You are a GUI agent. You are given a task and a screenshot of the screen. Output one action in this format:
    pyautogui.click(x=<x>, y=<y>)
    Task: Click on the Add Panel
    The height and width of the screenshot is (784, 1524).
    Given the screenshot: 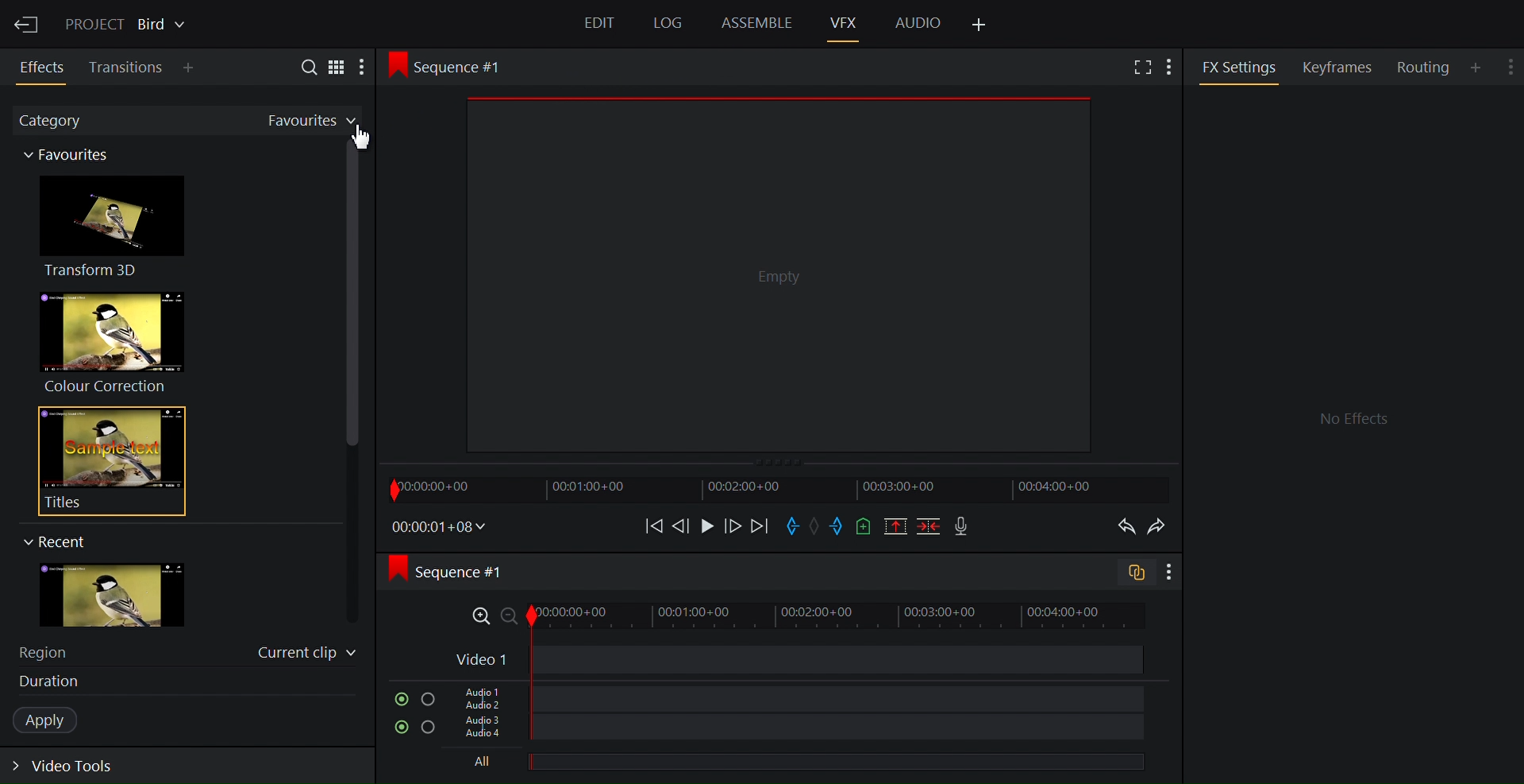 What is the action you would take?
    pyautogui.click(x=192, y=69)
    